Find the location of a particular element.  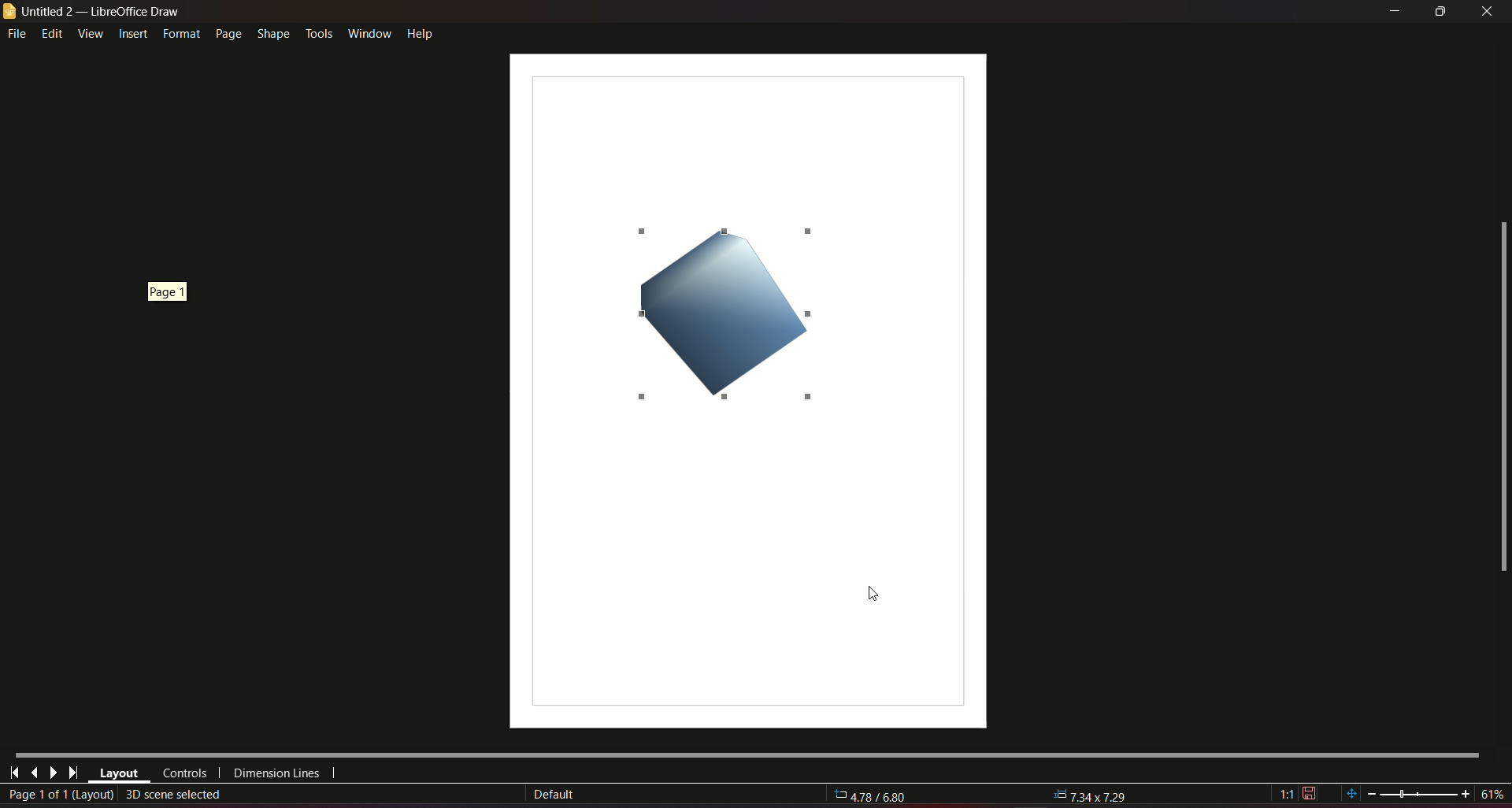

page is located at coordinates (227, 34).